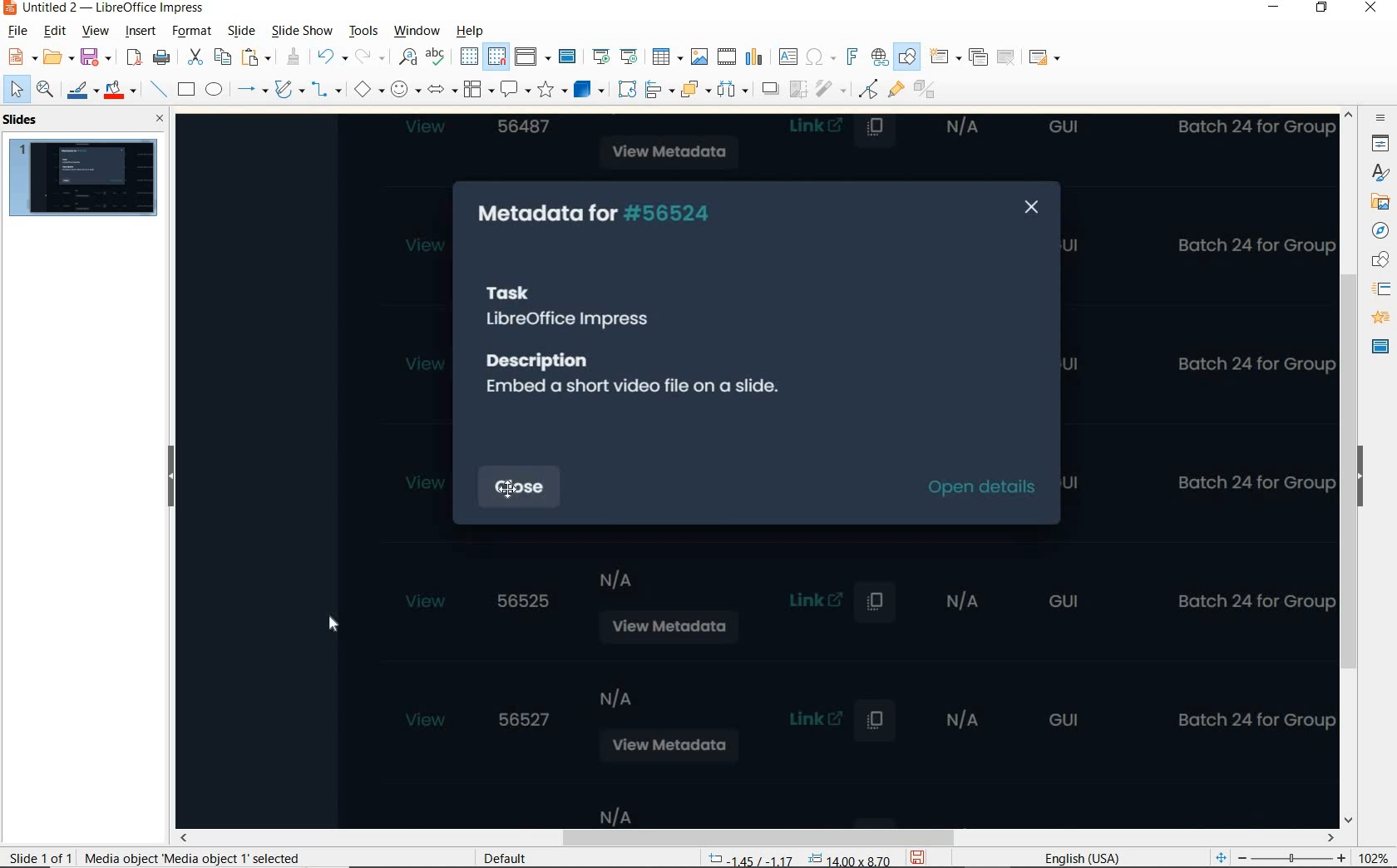  I want to click on SLIDE 1 OF 1, so click(45, 856).